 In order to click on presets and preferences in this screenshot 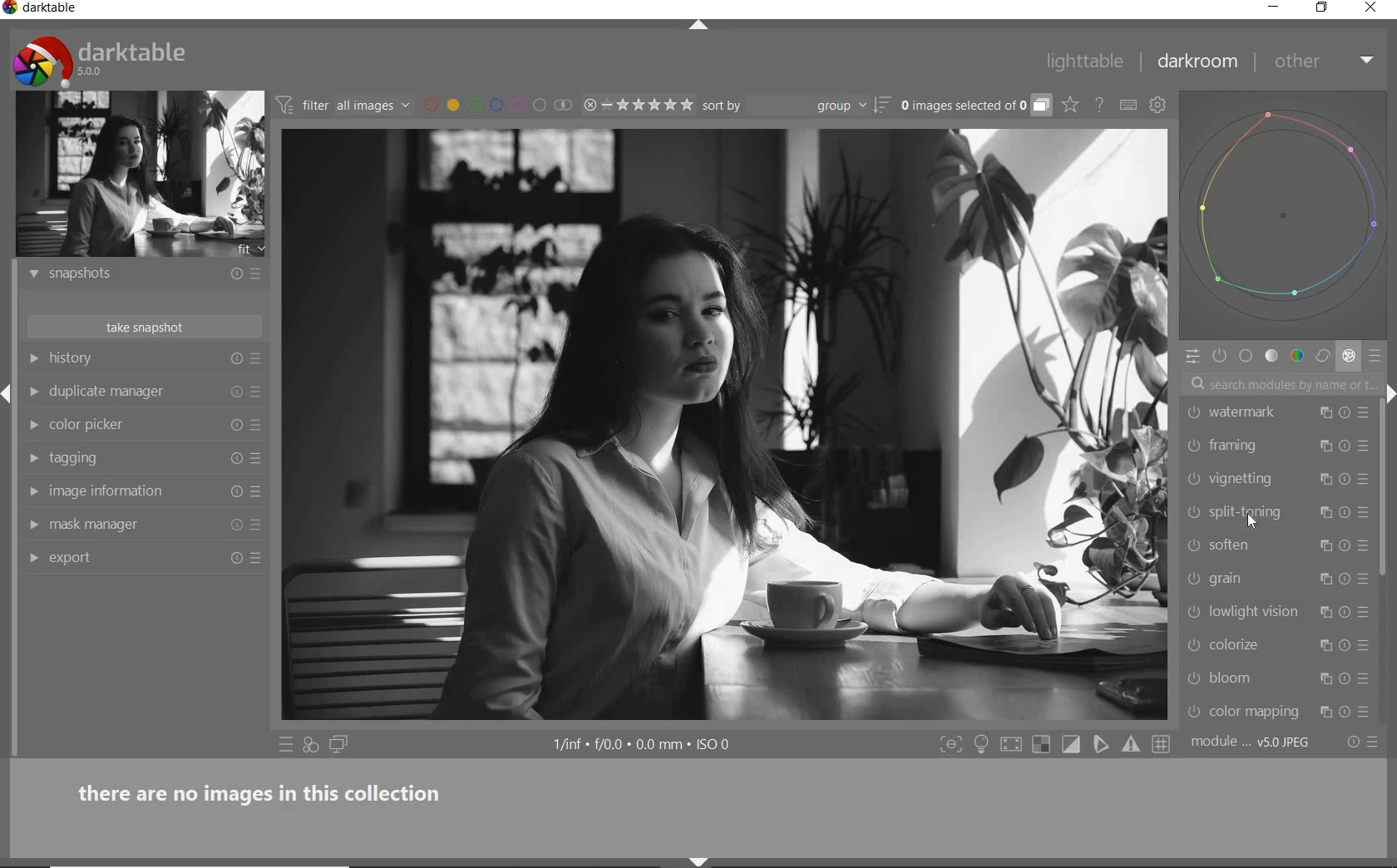, I will do `click(255, 274)`.